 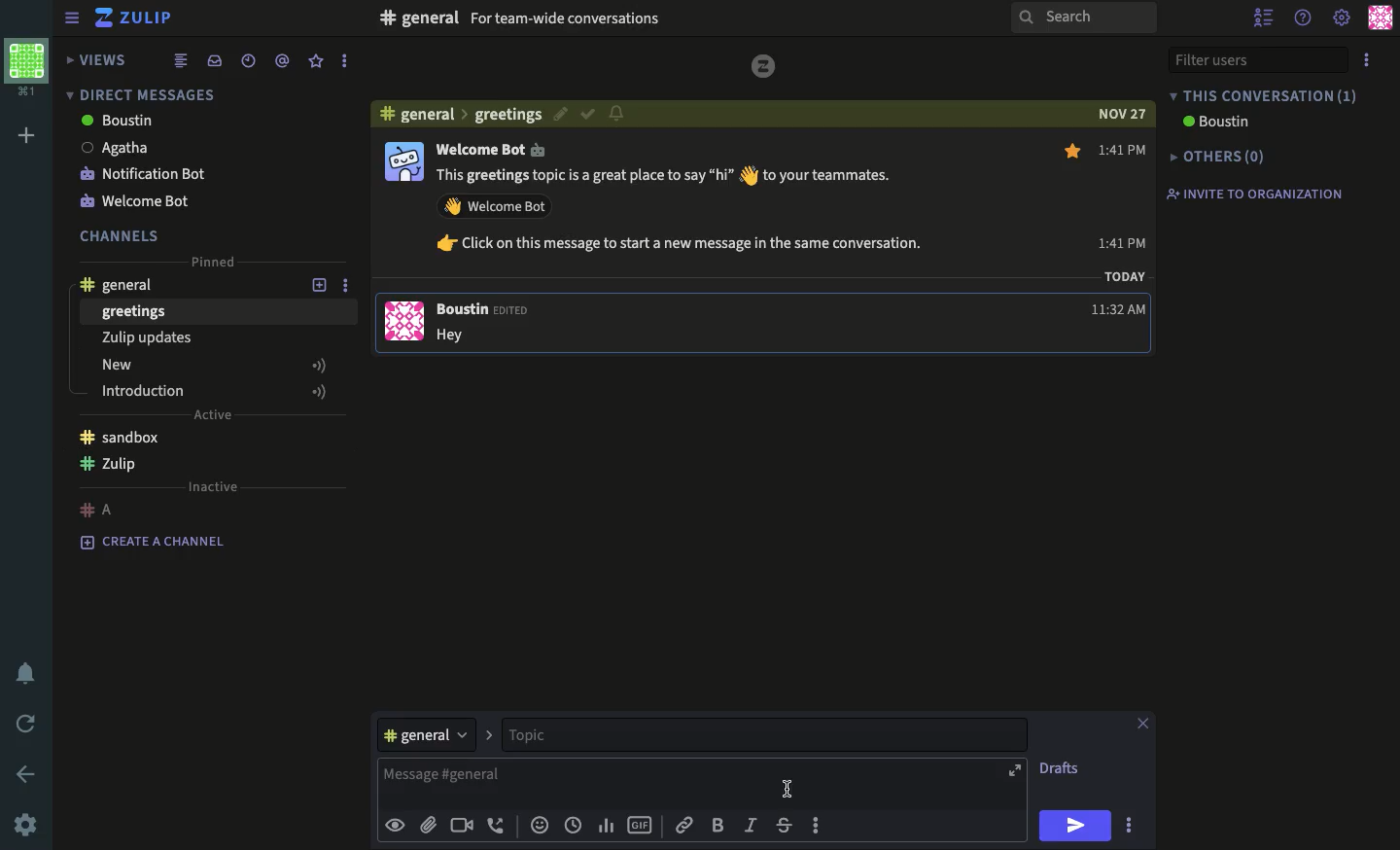 I want to click on italics, so click(x=751, y=826).